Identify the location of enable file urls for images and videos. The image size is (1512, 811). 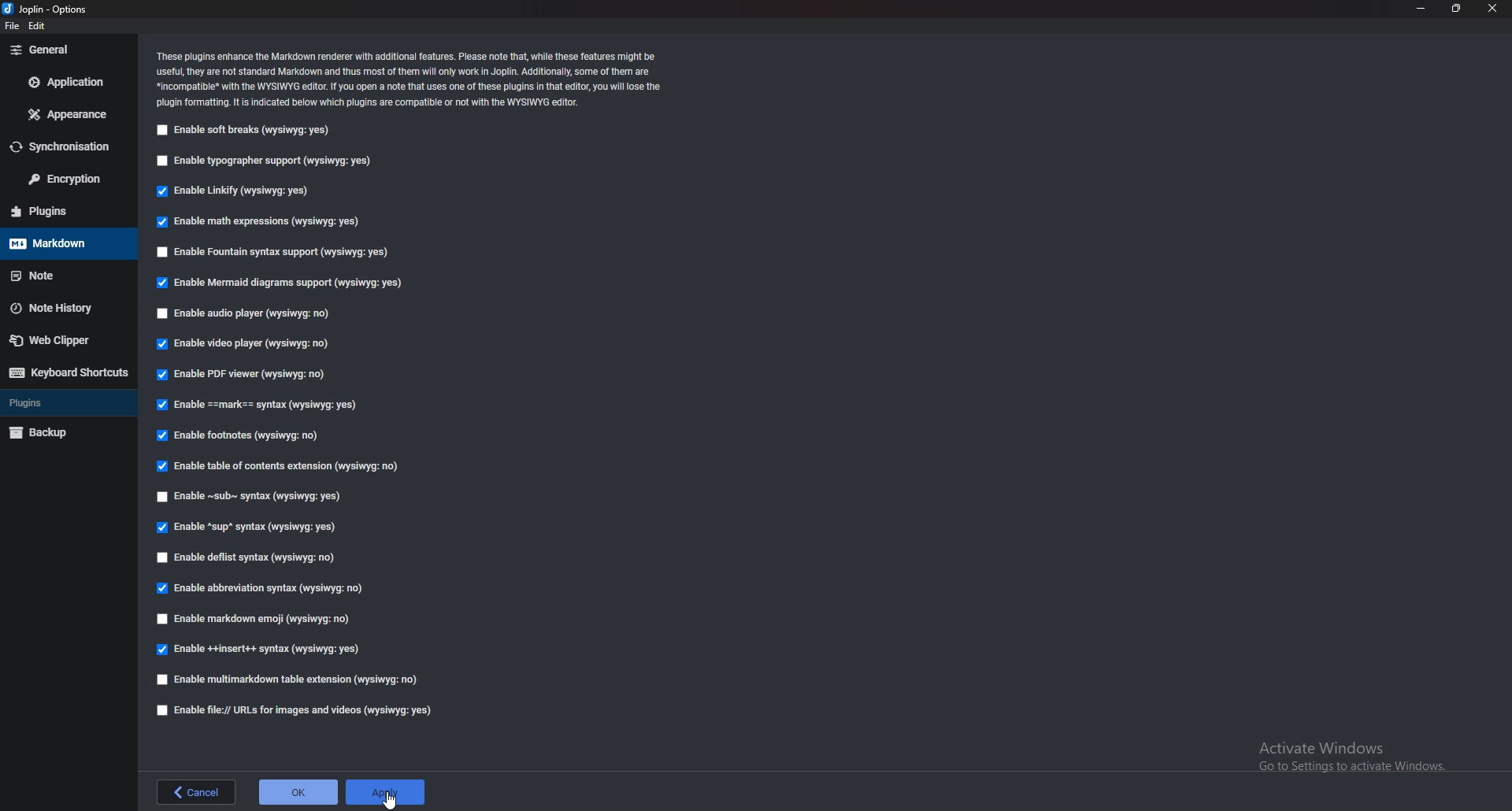
(299, 710).